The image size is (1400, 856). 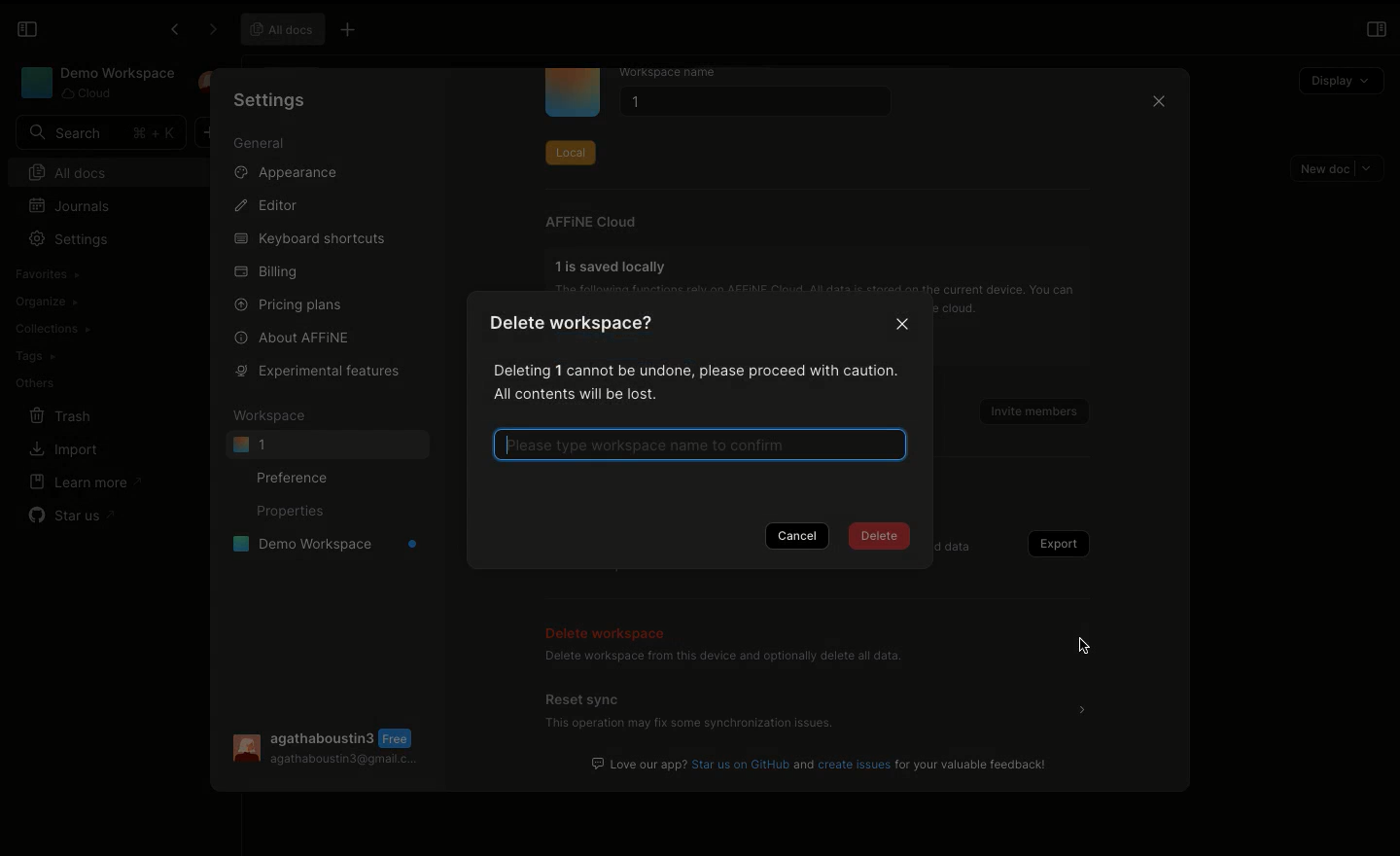 I want to click on Tags, so click(x=35, y=356).